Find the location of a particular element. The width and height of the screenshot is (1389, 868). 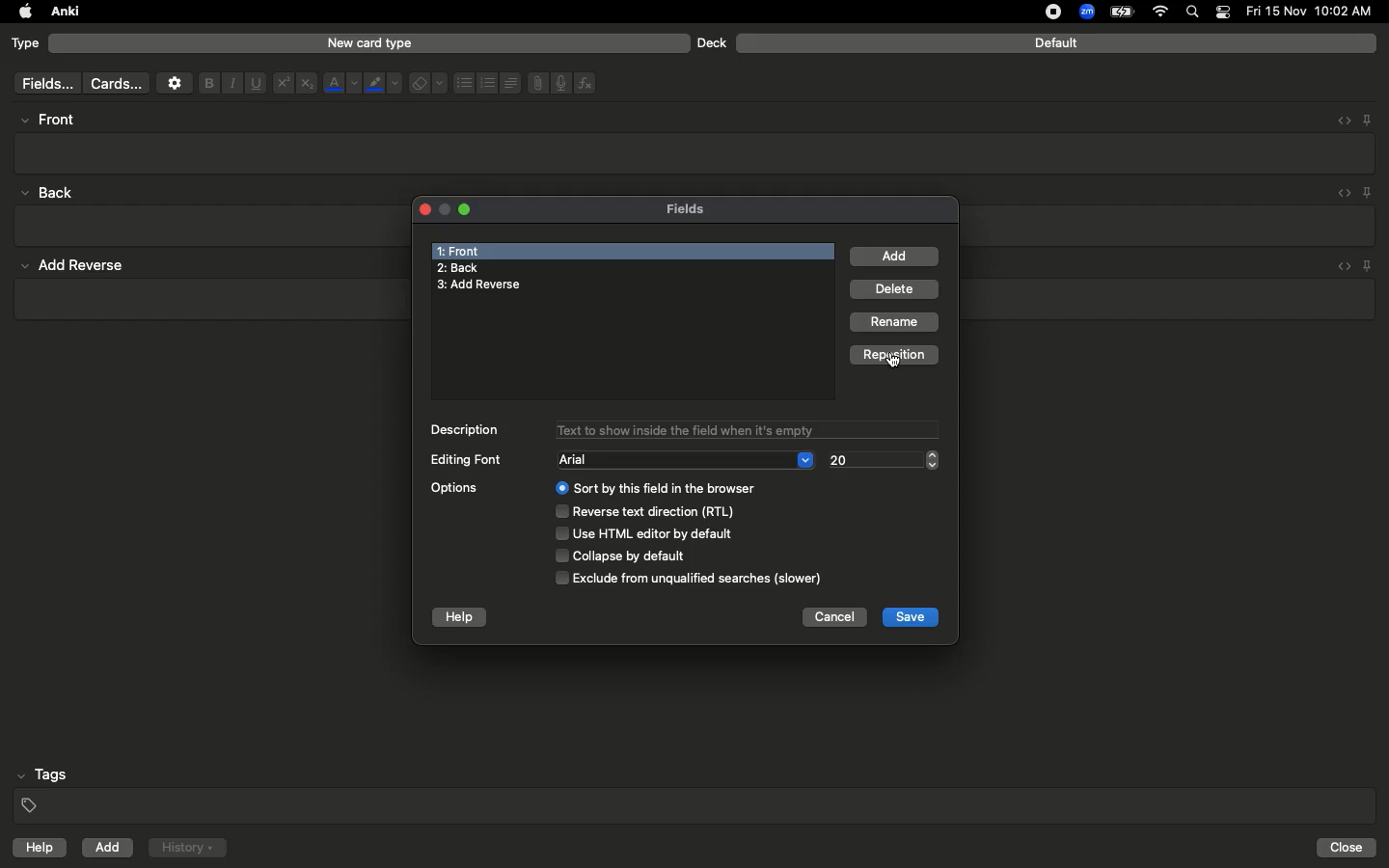

Zoom is located at coordinates (1085, 13).